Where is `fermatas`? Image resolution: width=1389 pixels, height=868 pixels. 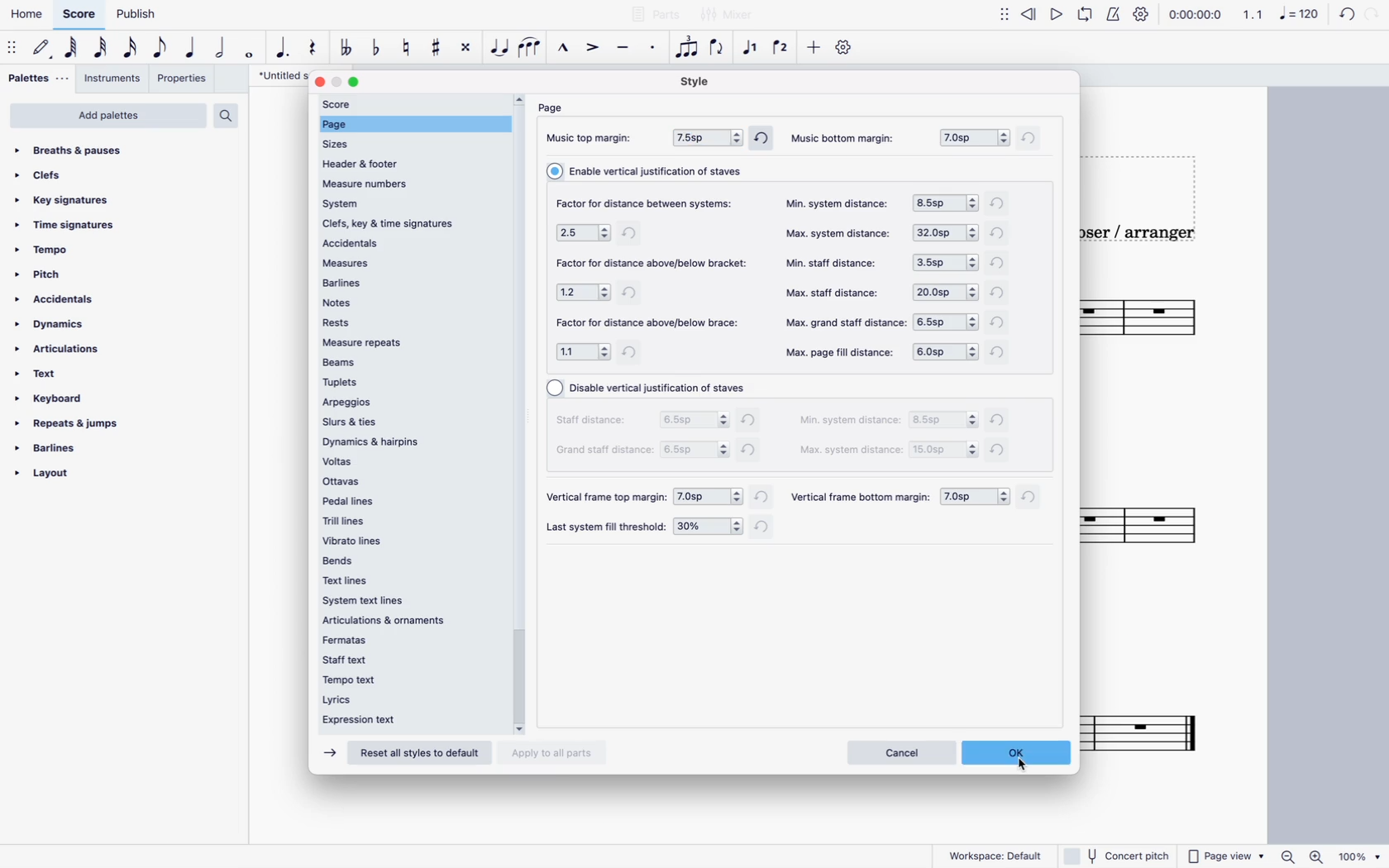
fermatas is located at coordinates (399, 640).